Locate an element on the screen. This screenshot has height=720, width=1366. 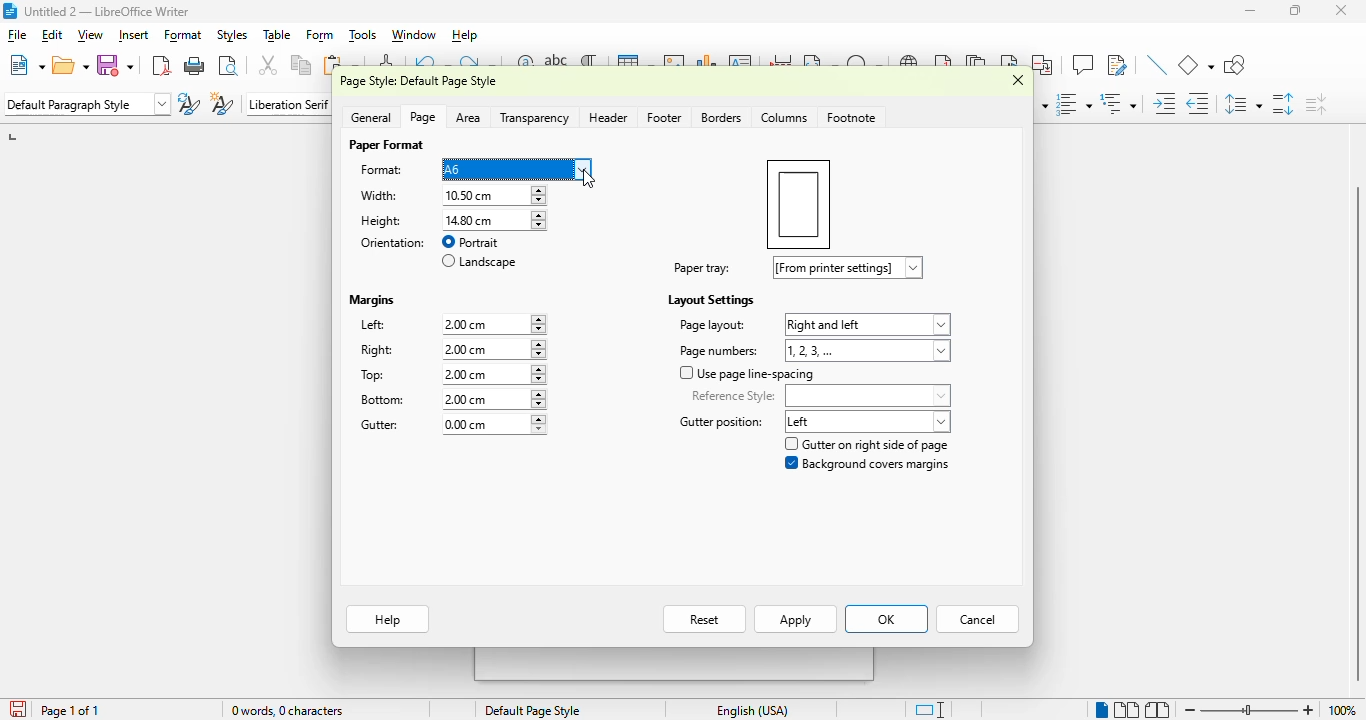
decrease paragraph spacing is located at coordinates (1316, 105).